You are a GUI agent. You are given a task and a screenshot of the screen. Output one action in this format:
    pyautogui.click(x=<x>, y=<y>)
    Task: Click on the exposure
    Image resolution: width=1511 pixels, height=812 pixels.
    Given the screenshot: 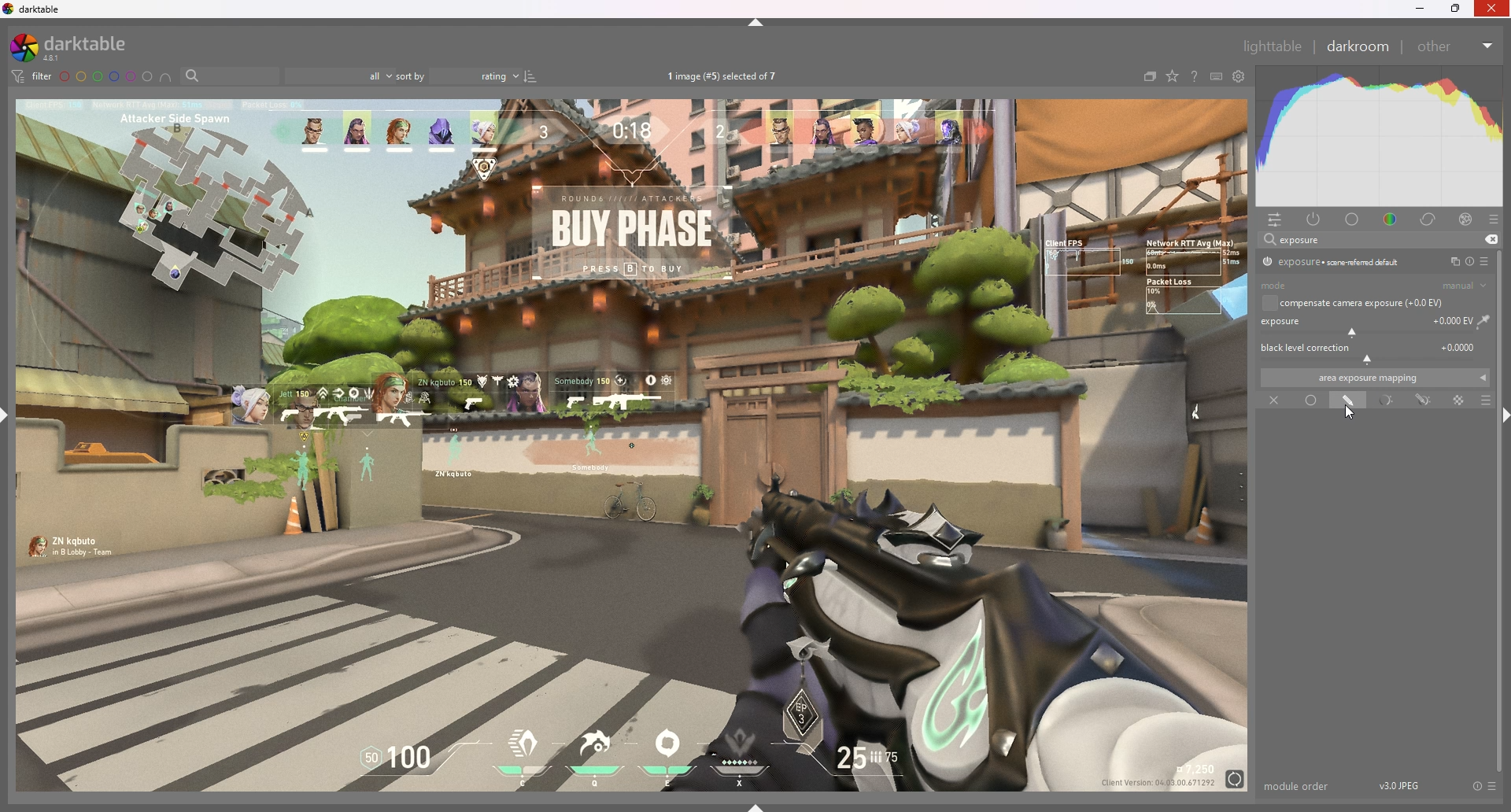 What is the action you would take?
    pyautogui.click(x=1300, y=239)
    